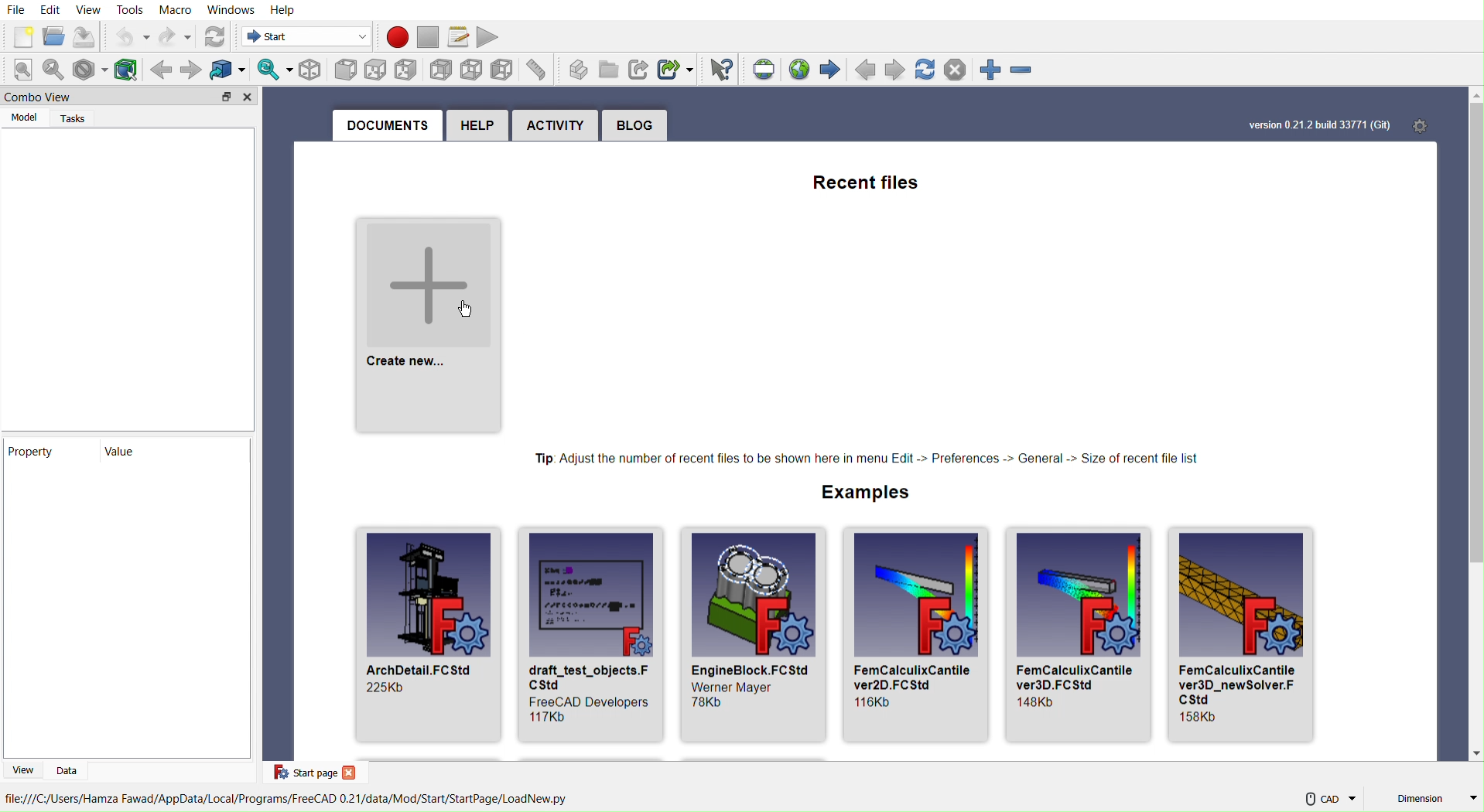 The width and height of the screenshot is (1484, 812). I want to click on Recent files, so click(864, 179).